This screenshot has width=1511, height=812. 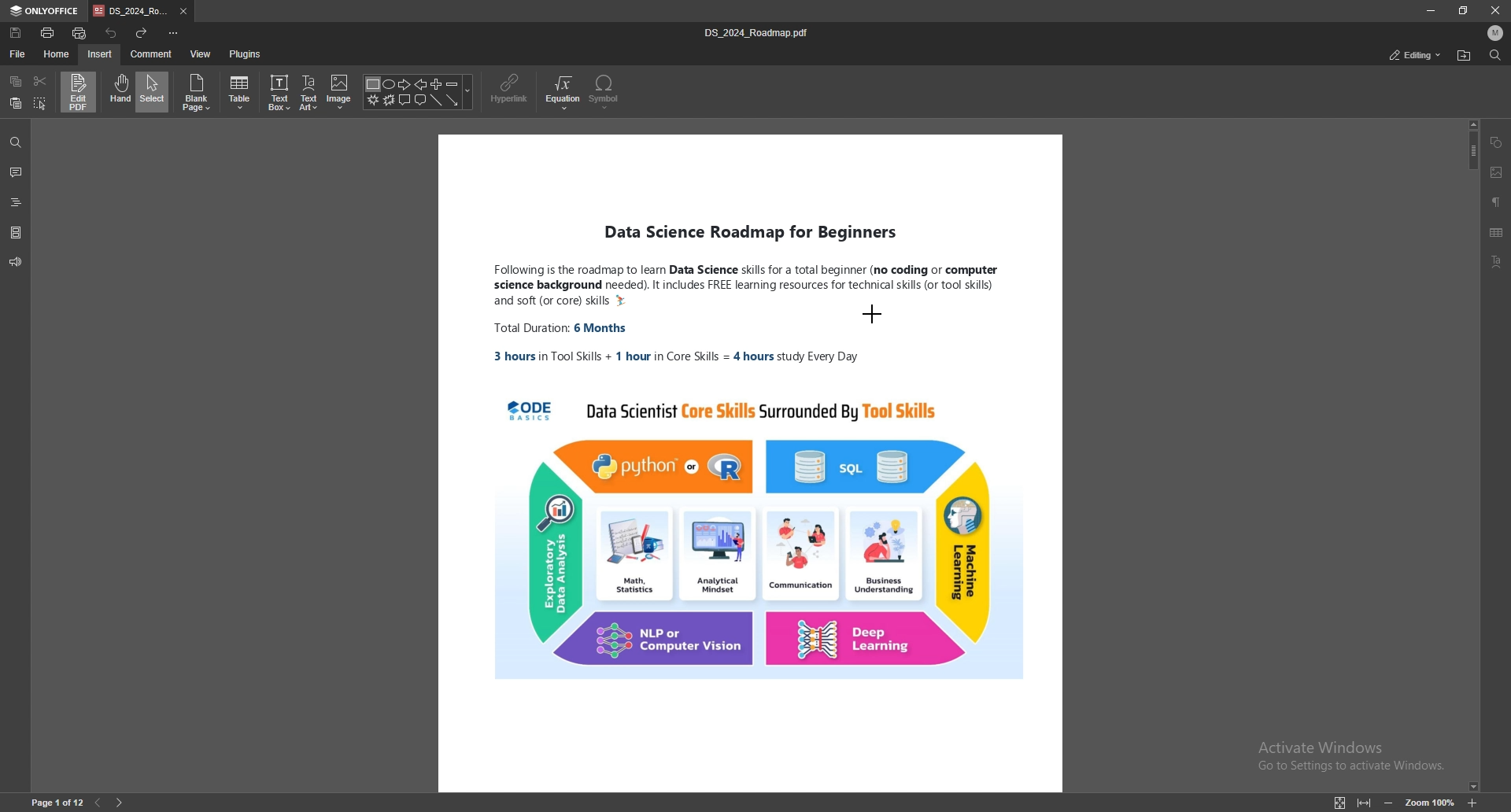 What do you see at coordinates (1365, 803) in the screenshot?
I see `fit to width` at bounding box center [1365, 803].